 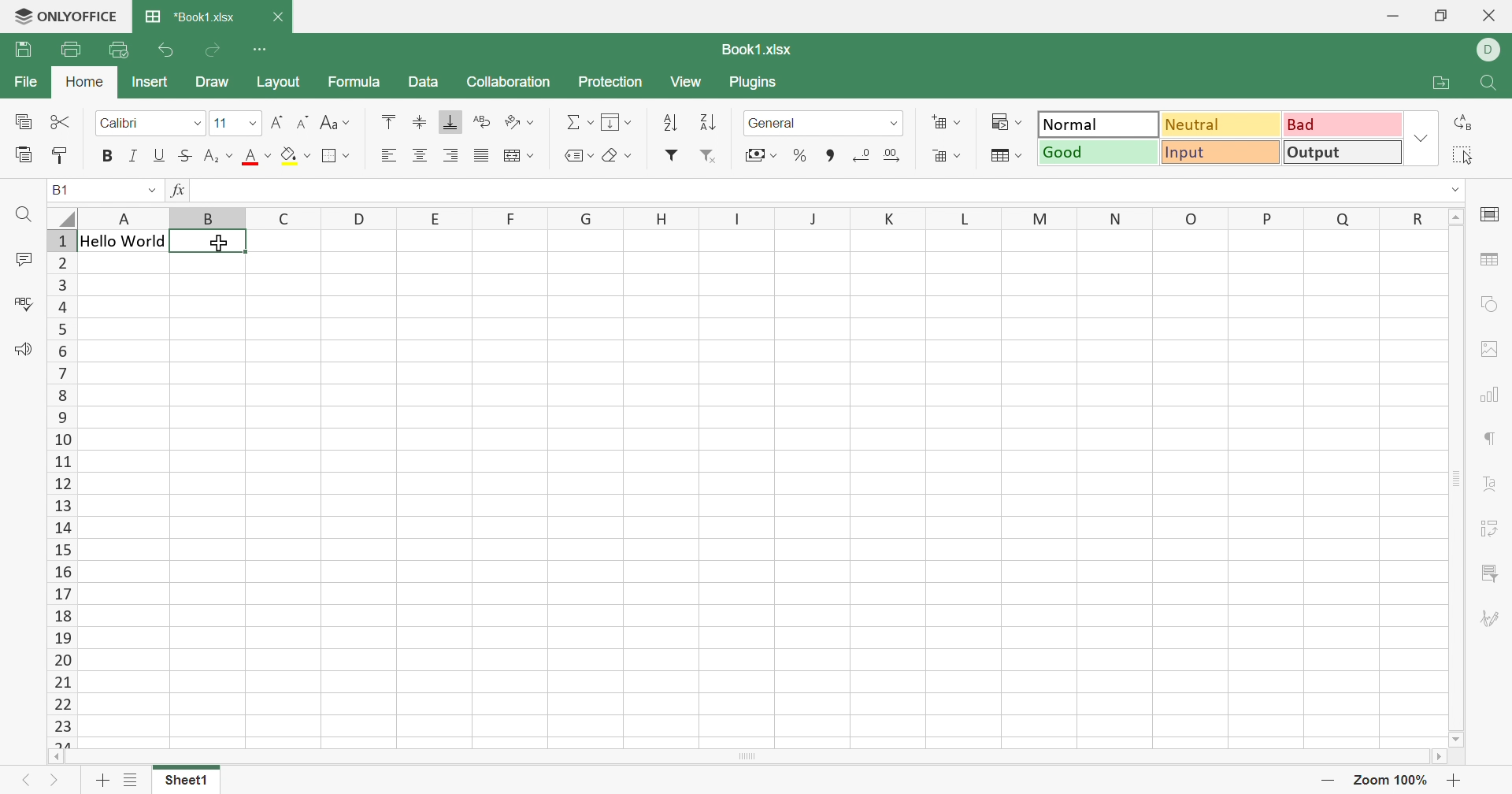 What do you see at coordinates (420, 122) in the screenshot?
I see `Align middle` at bounding box center [420, 122].